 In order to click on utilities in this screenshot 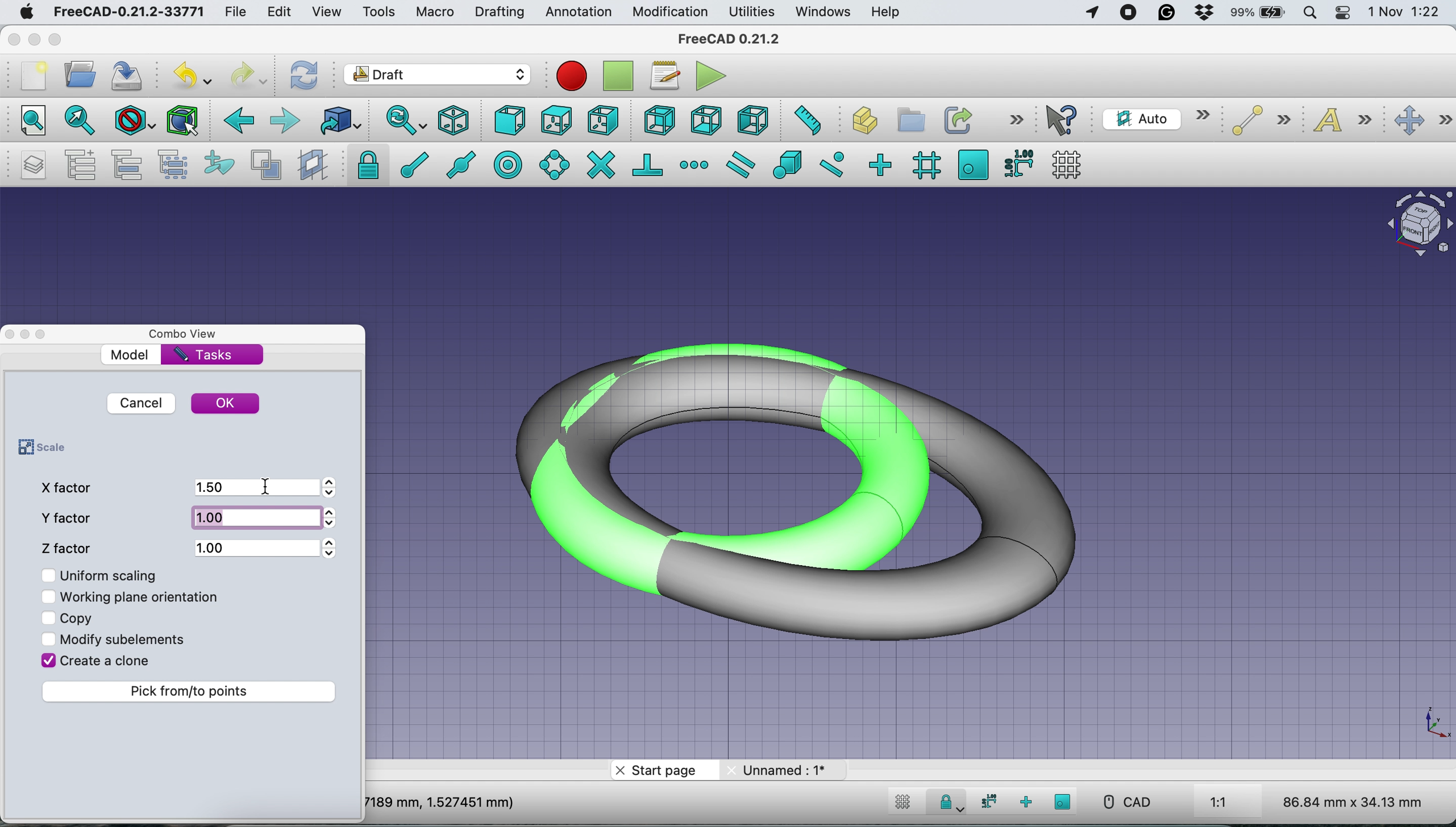, I will do `click(753, 12)`.